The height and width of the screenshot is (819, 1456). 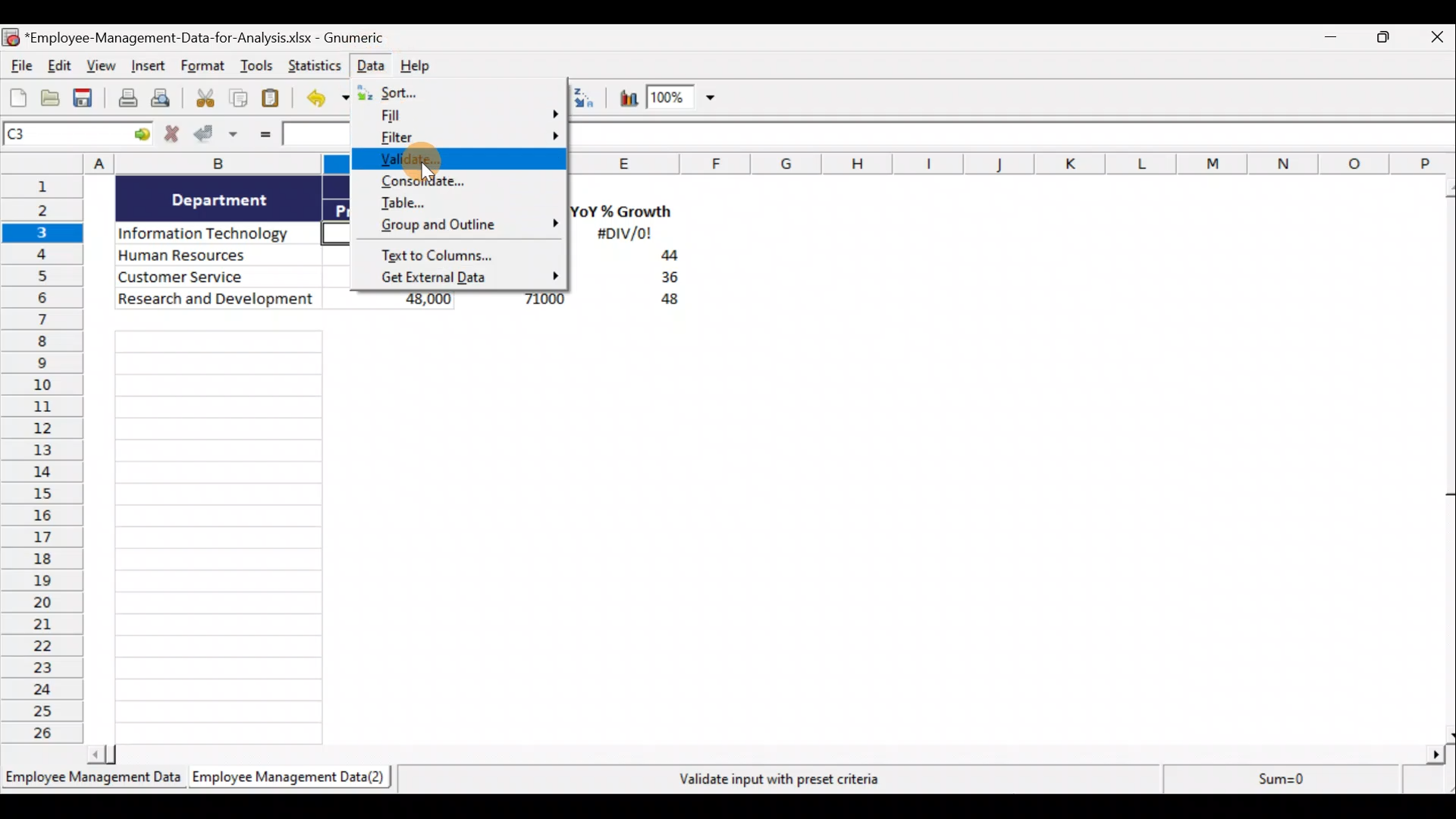 I want to click on Insert, so click(x=151, y=69).